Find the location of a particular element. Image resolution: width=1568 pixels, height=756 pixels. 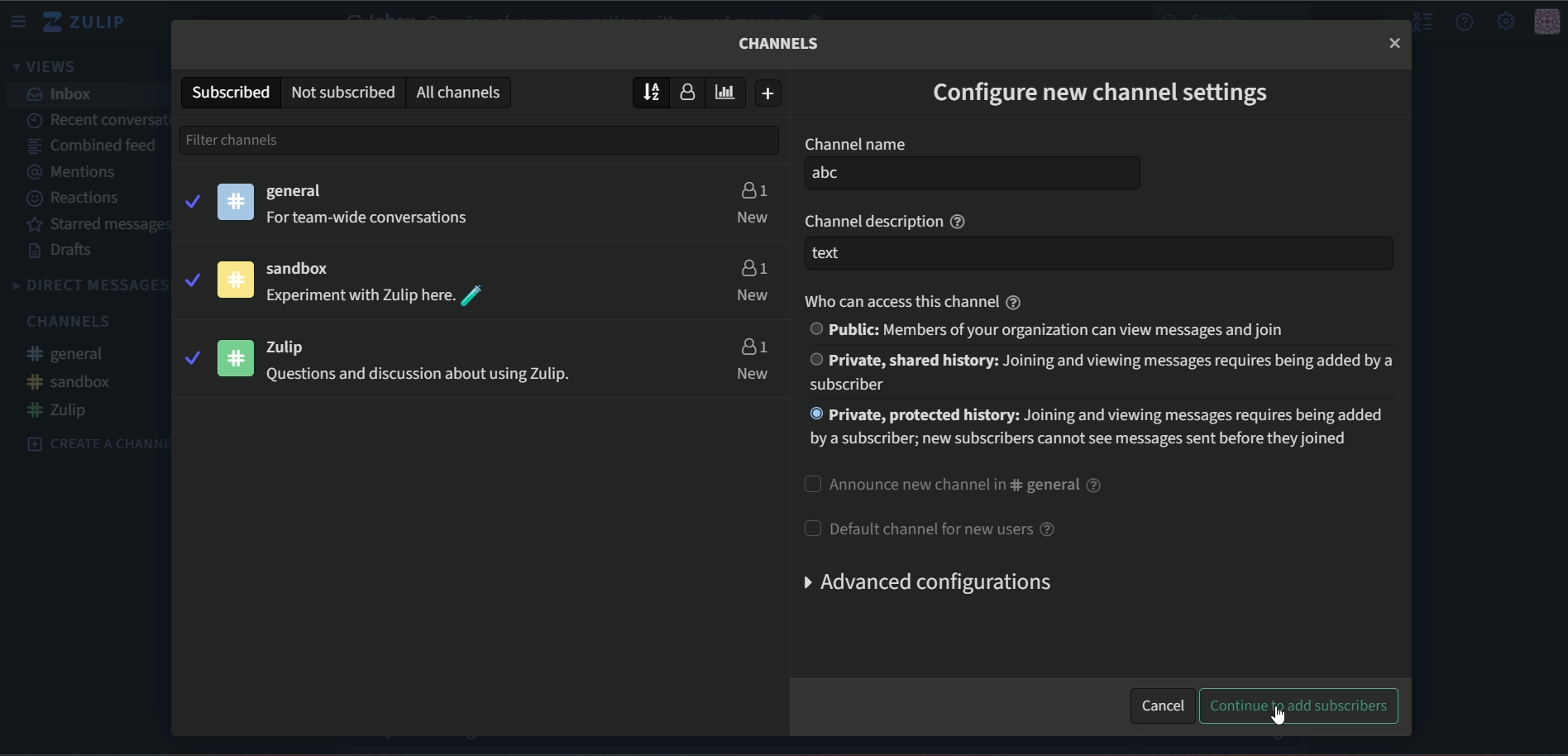

add is located at coordinates (770, 93).